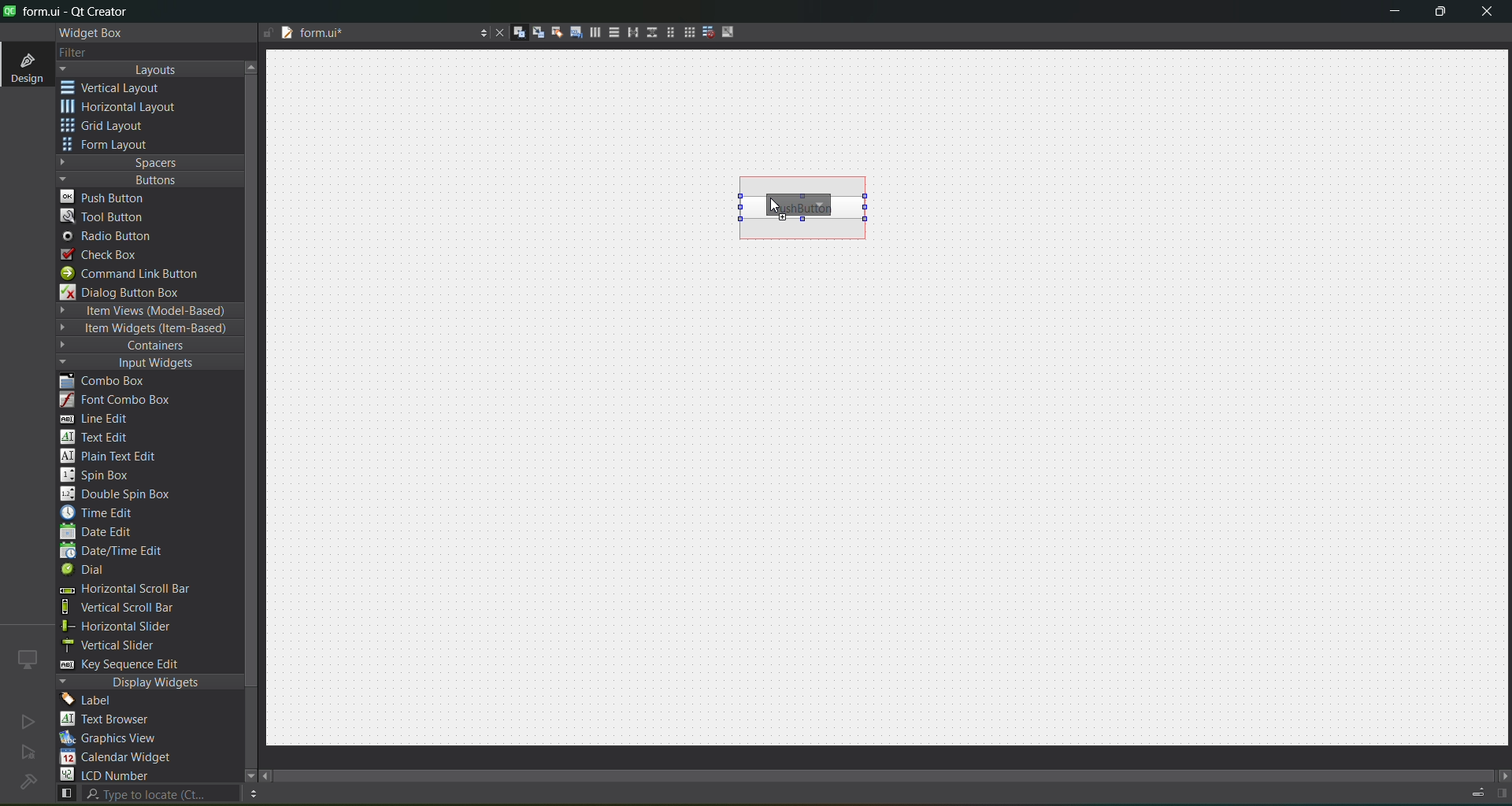 The image size is (1512, 806). What do you see at coordinates (268, 34) in the screenshot?
I see `file is writable` at bounding box center [268, 34].